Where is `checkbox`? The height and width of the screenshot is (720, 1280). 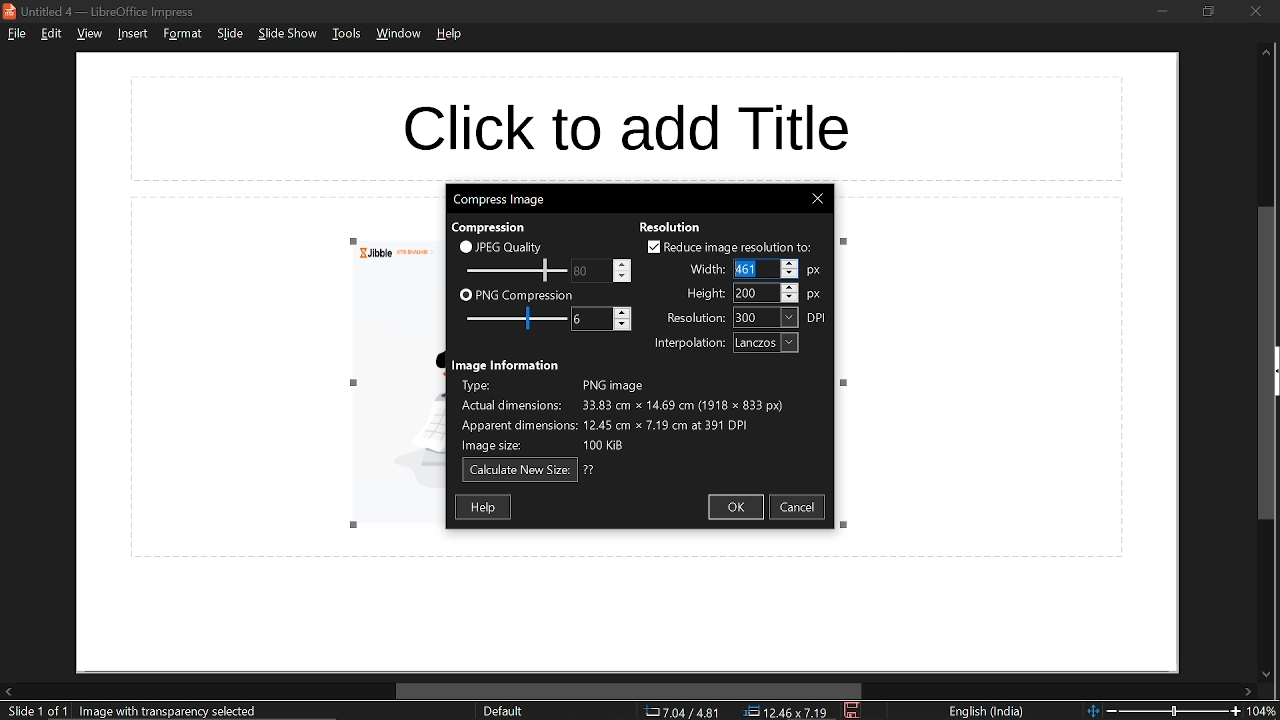 checkbox is located at coordinates (651, 246).